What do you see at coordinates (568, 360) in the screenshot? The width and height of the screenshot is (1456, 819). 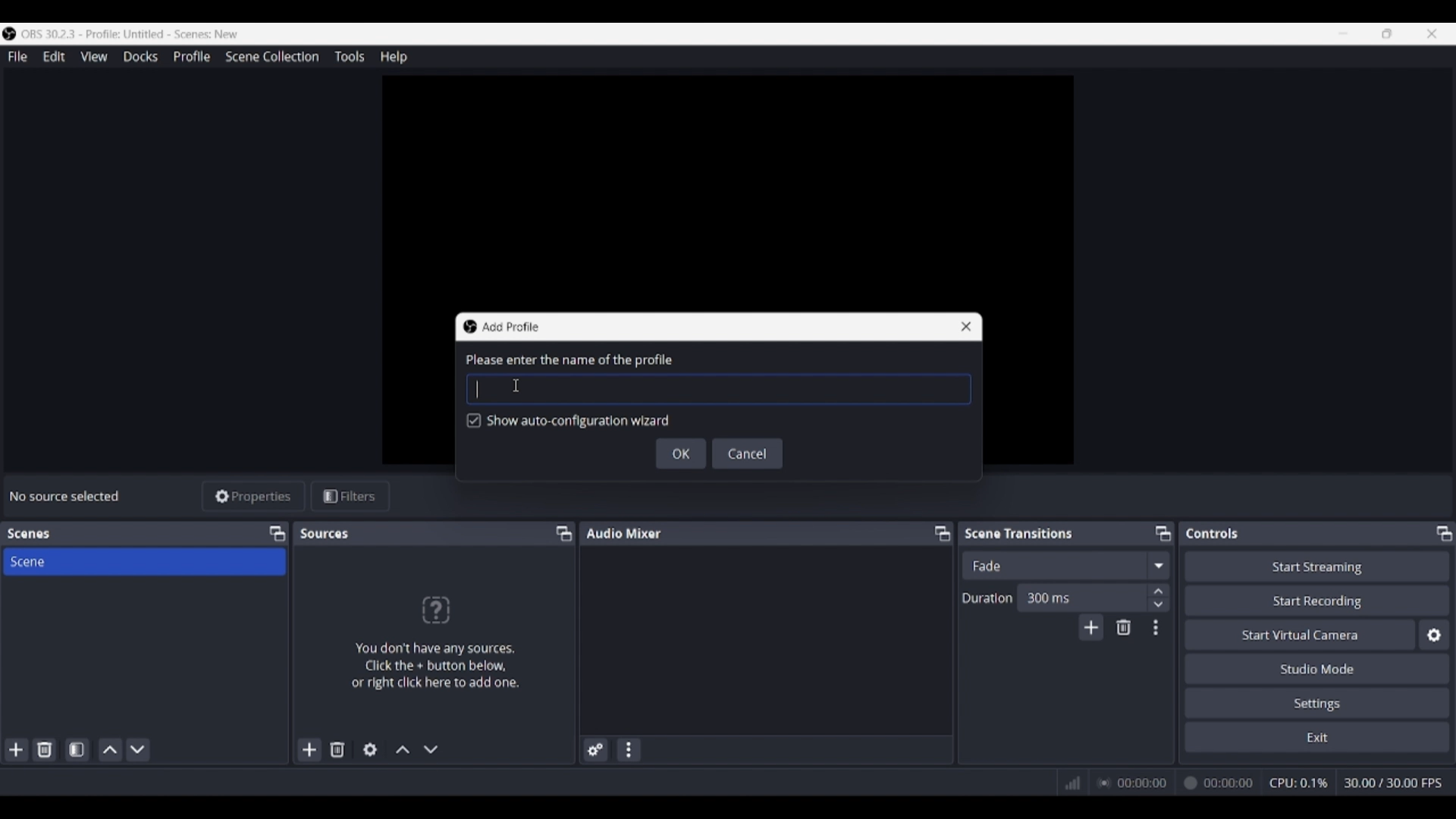 I see `Indicates text box to enter profile name` at bounding box center [568, 360].